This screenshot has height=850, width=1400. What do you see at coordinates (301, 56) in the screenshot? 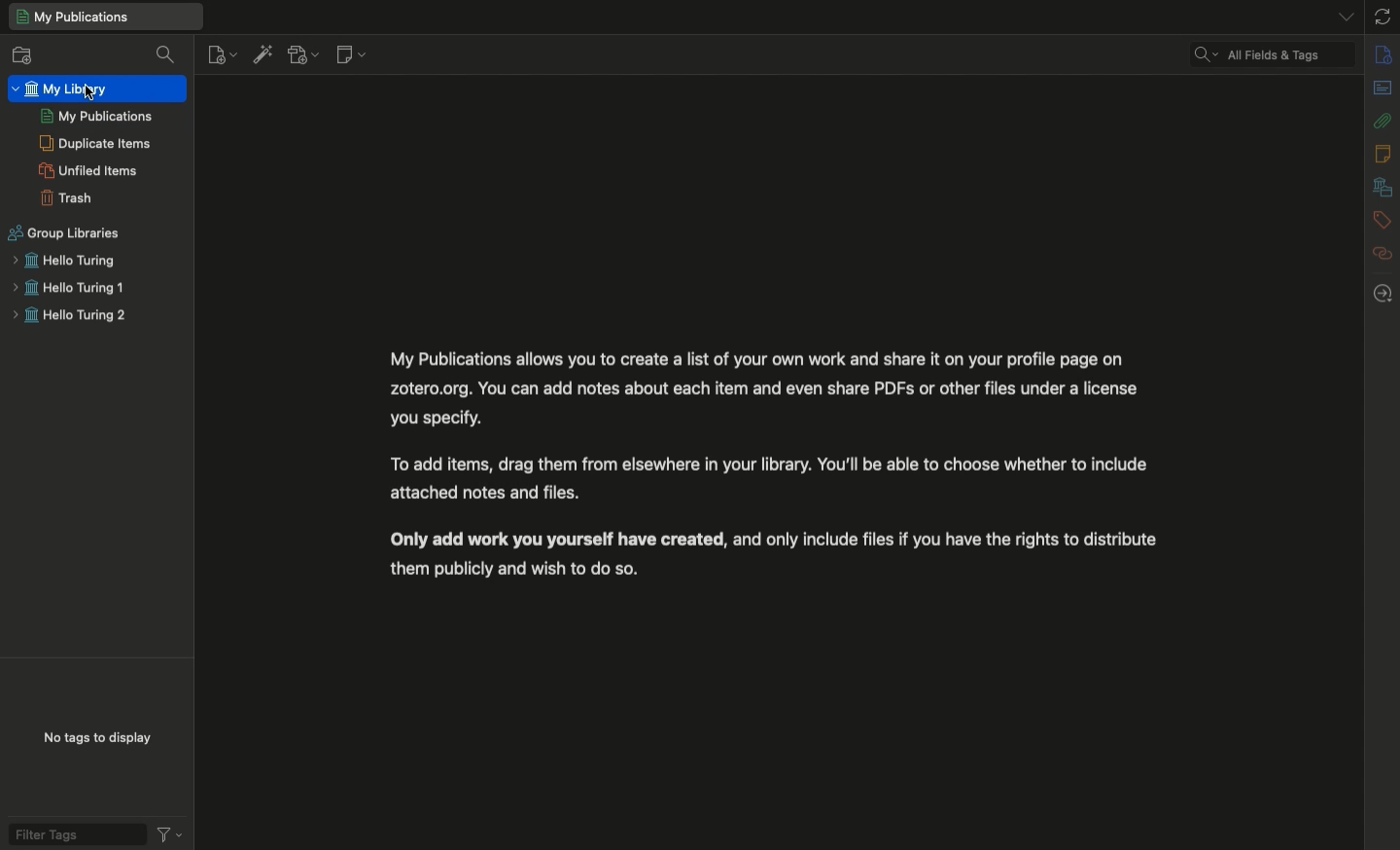
I see `Add attachment` at bounding box center [301, 56].